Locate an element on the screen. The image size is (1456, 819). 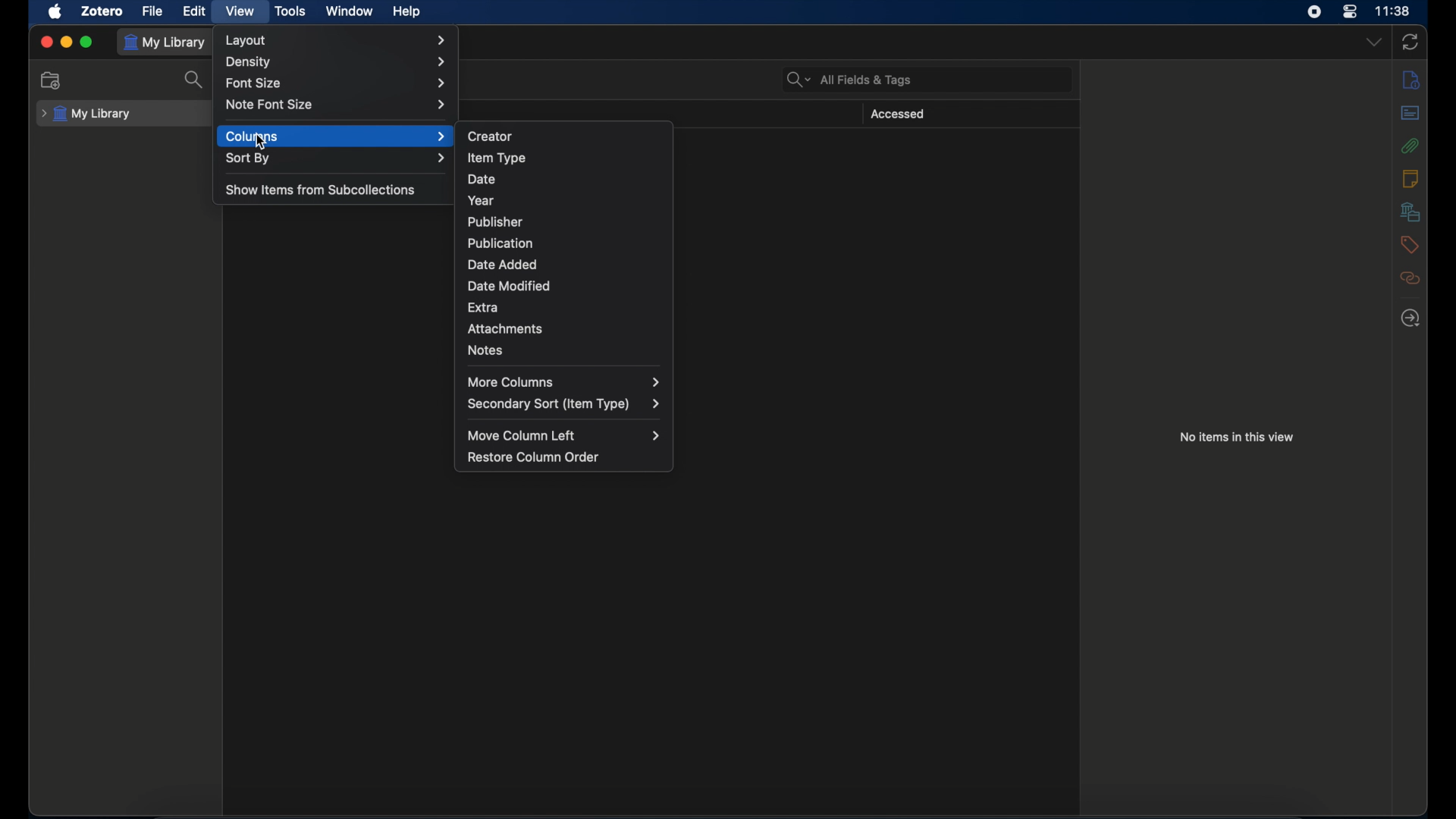
attachments is located at coordinates (1410, 146).